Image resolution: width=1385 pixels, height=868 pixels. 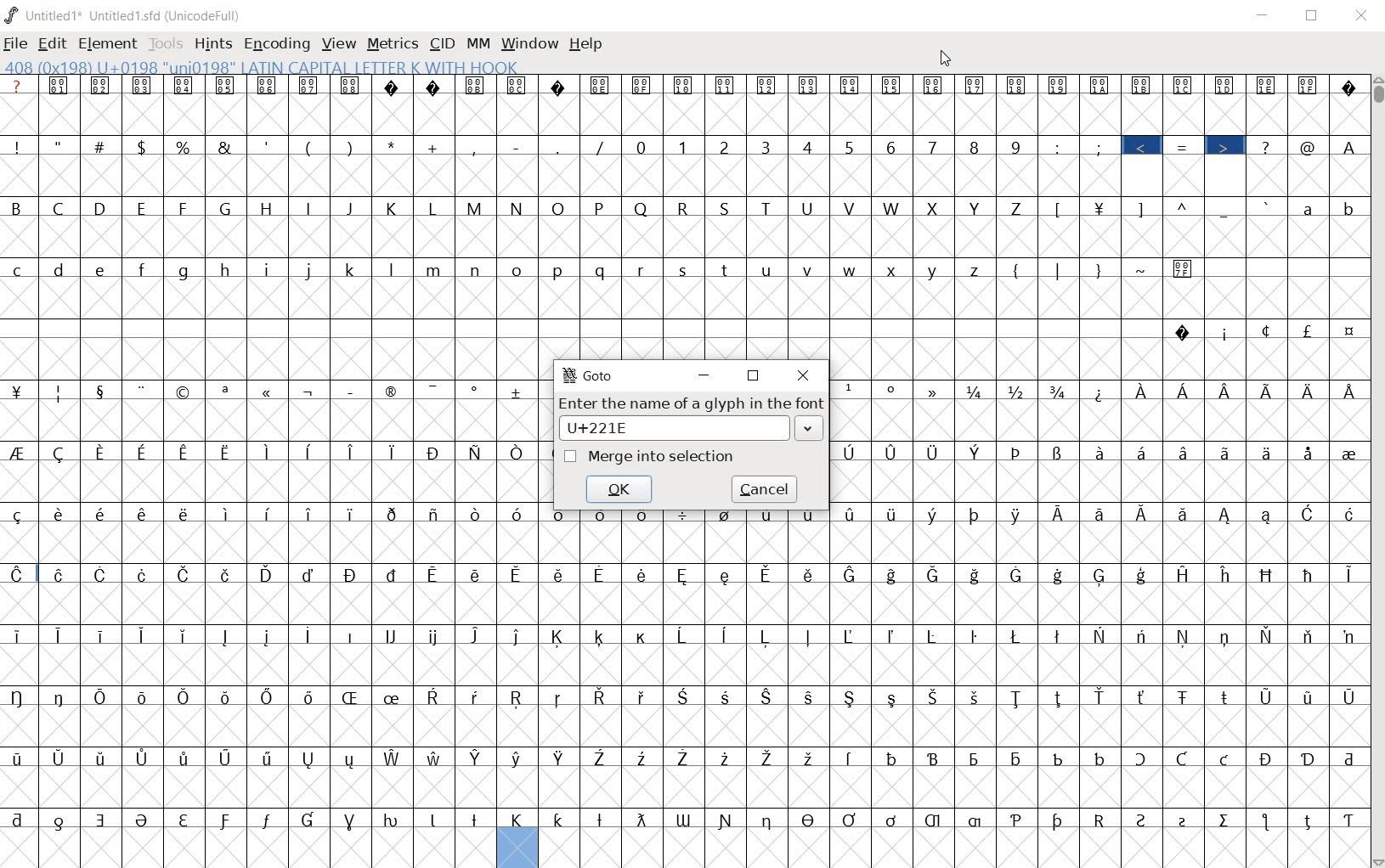 I want to click on , so click(x=1104, y=392).